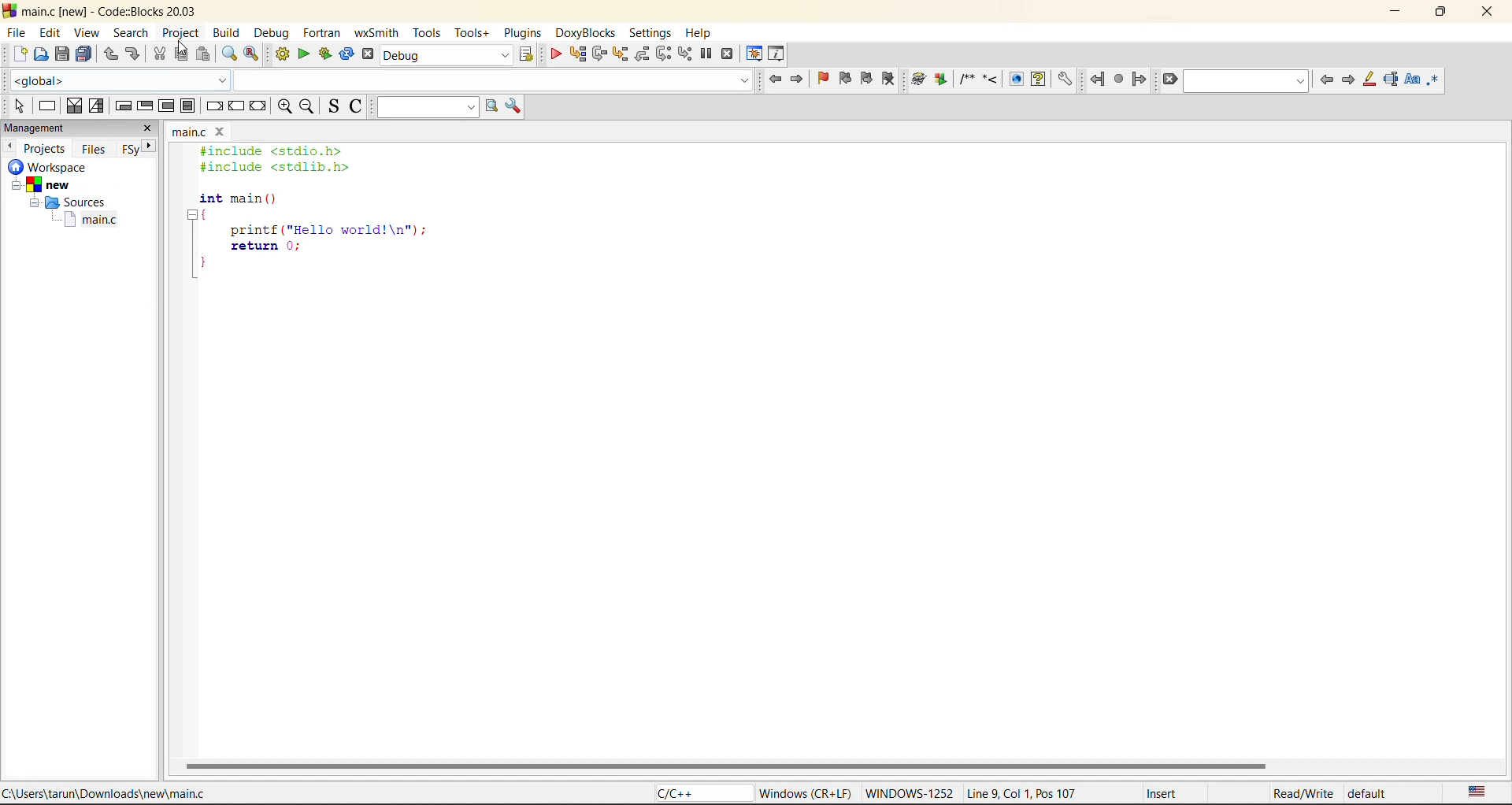 This screenshot has width=1512, height=805. Describe the element at coordinates (1372, 796) in the screenshot. I see `default` at that location.